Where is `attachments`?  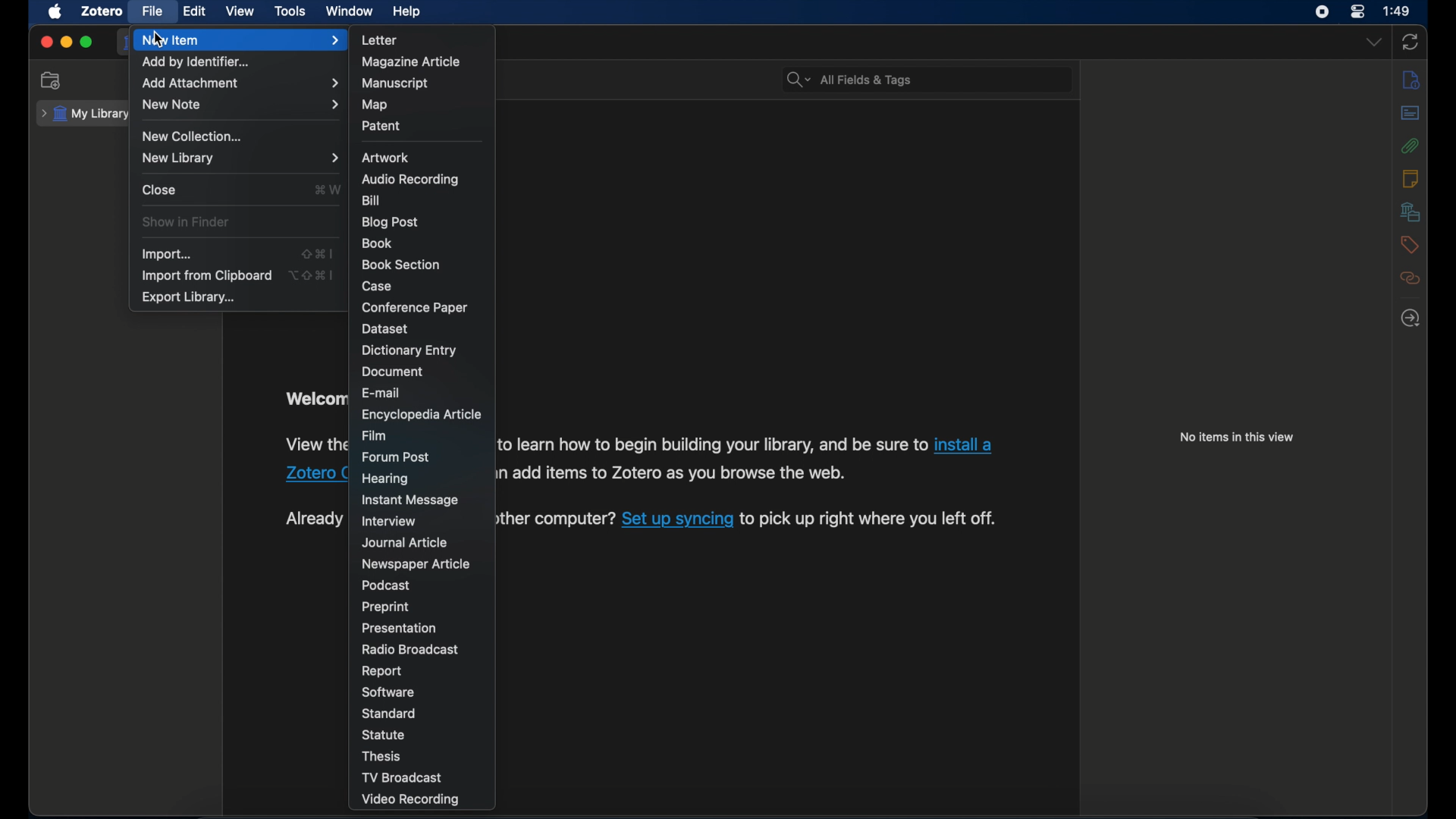 attachments is located at coordinates (1410, 146).